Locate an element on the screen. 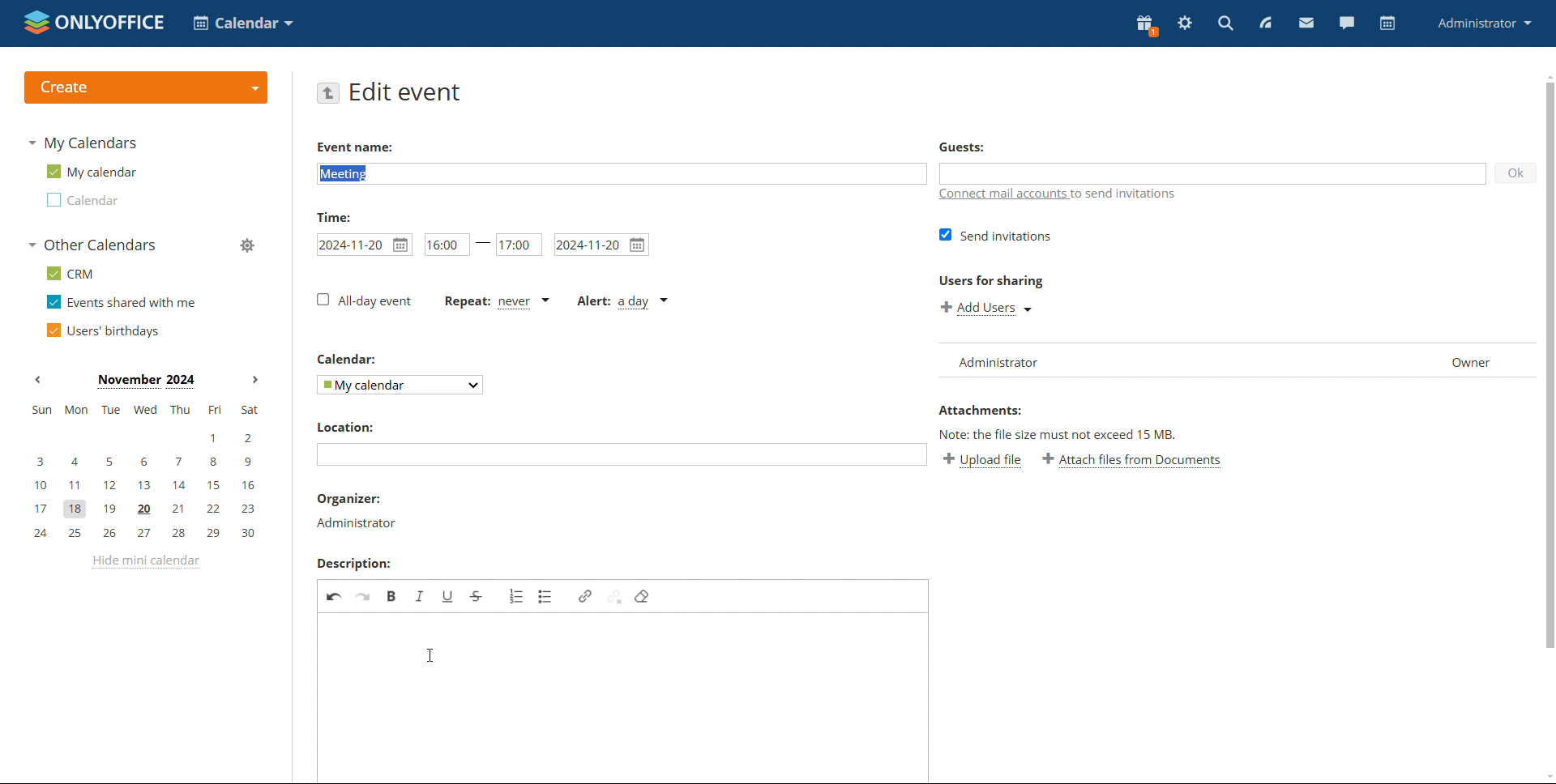 Image resolution: width=1556 pixels, height=784 pixels. unlink is located at coordinates (613, 597).